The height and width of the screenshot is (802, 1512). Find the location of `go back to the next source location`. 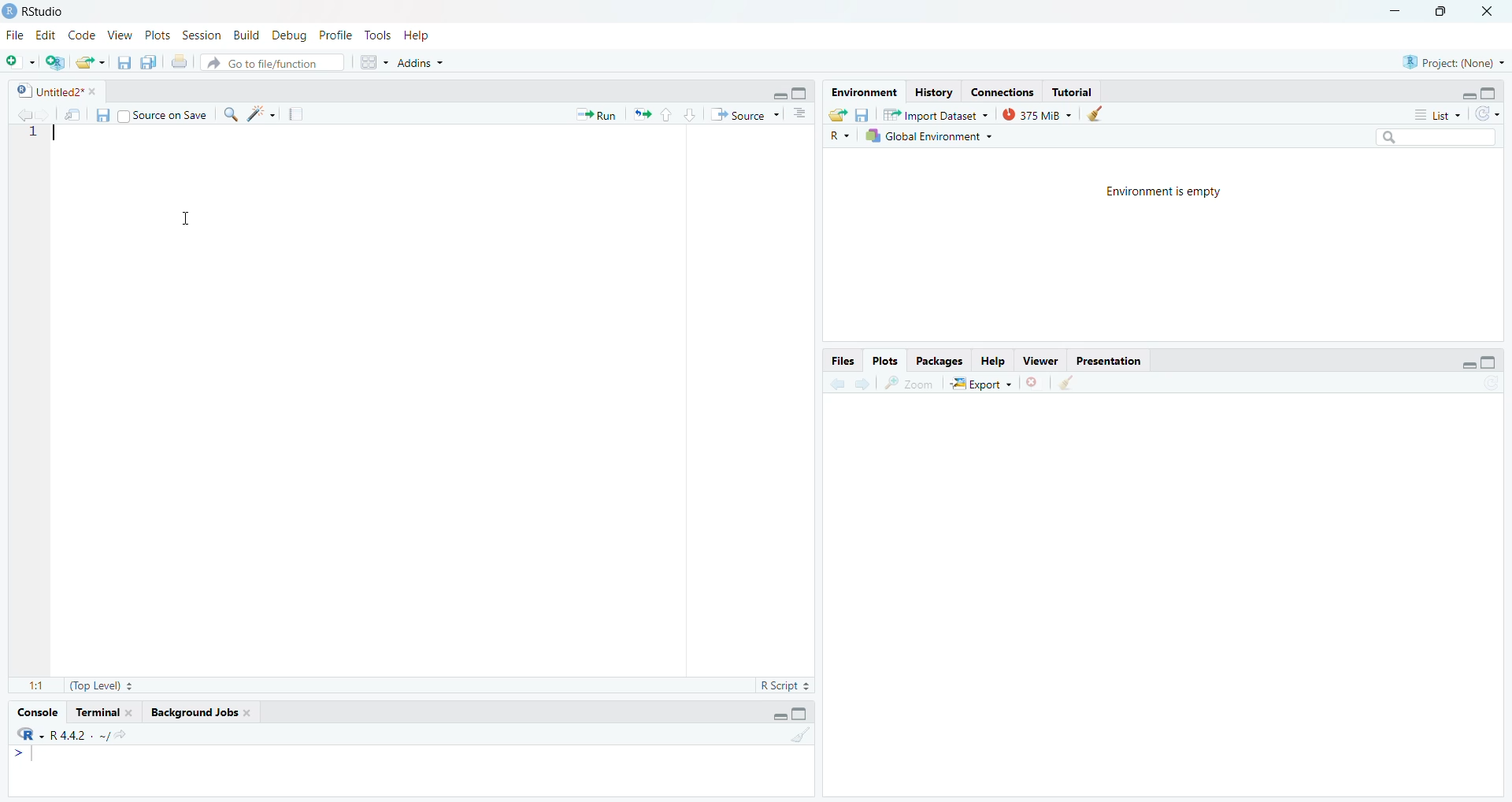

go back to the next source location is located at coordinates (46, 114).